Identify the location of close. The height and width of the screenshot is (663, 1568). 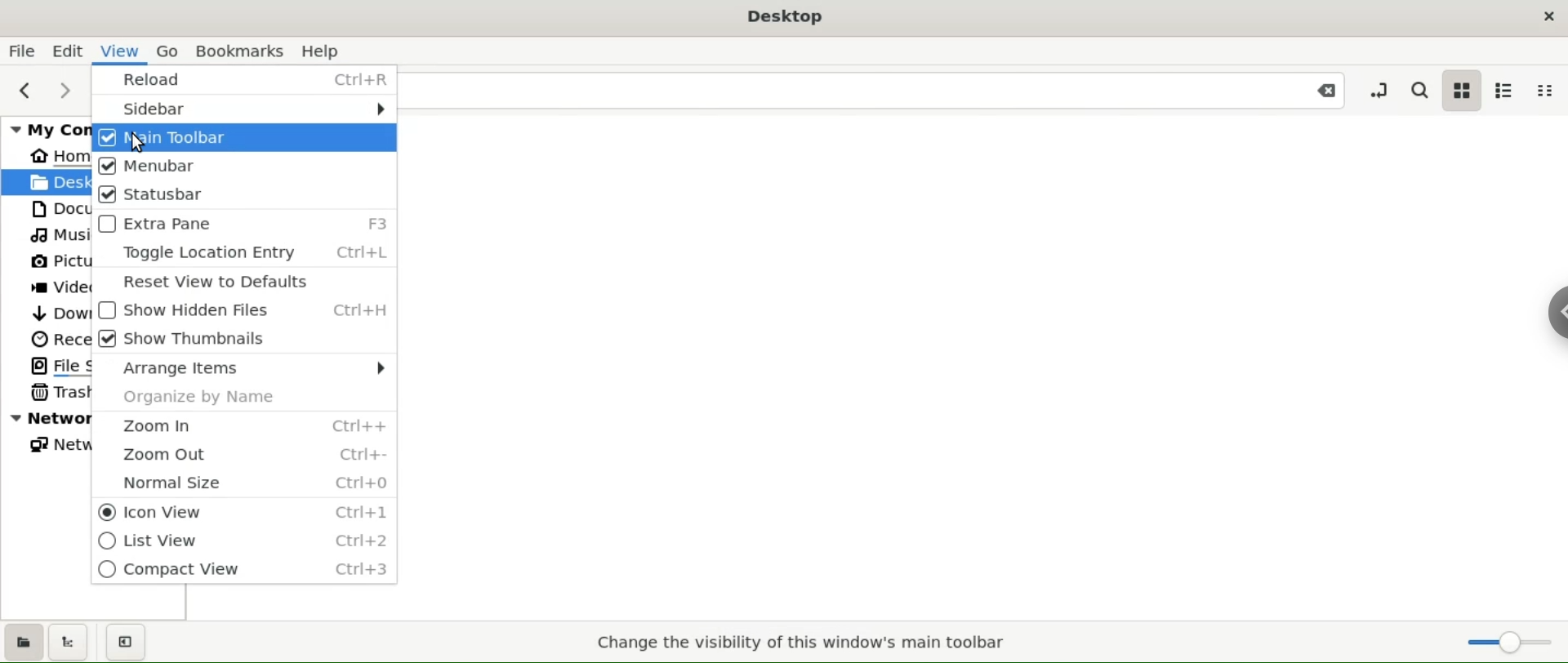
(1318, 90).